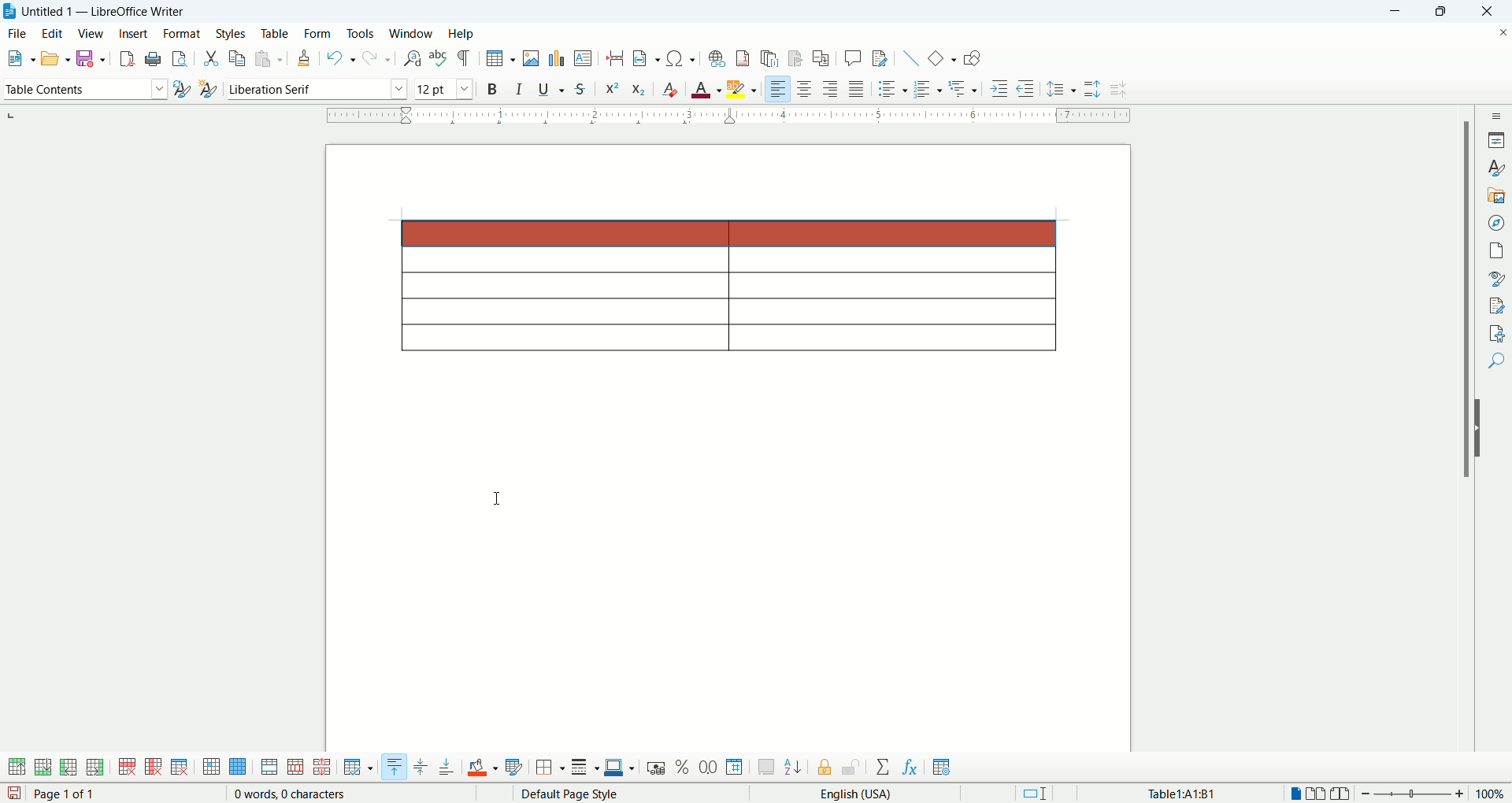  What do you see at coordinates (1496, 250) in the screenshot?
I see `page` at bounding box center [1496, 250].